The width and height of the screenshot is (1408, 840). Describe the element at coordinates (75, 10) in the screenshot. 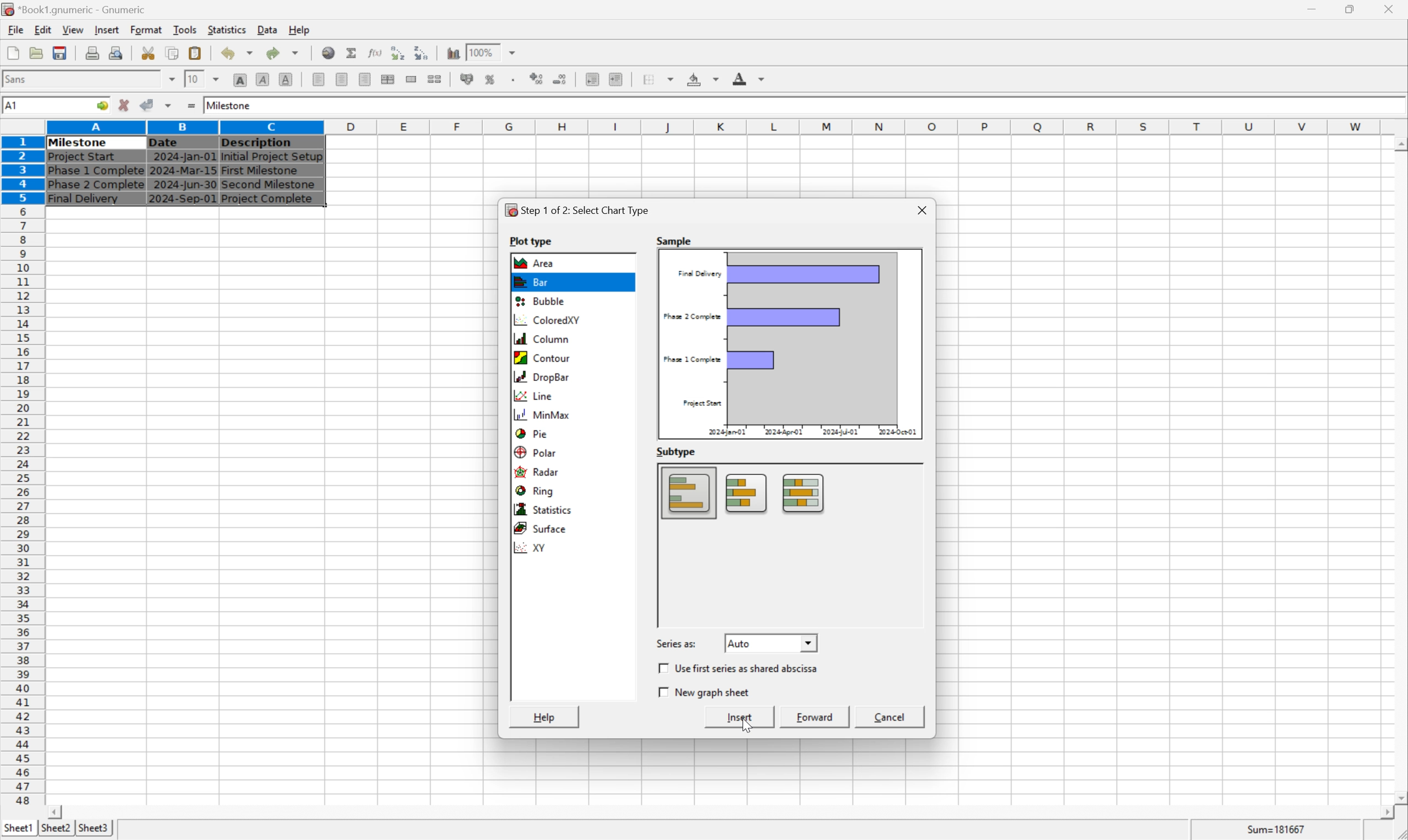

I see `Application name` at that location.